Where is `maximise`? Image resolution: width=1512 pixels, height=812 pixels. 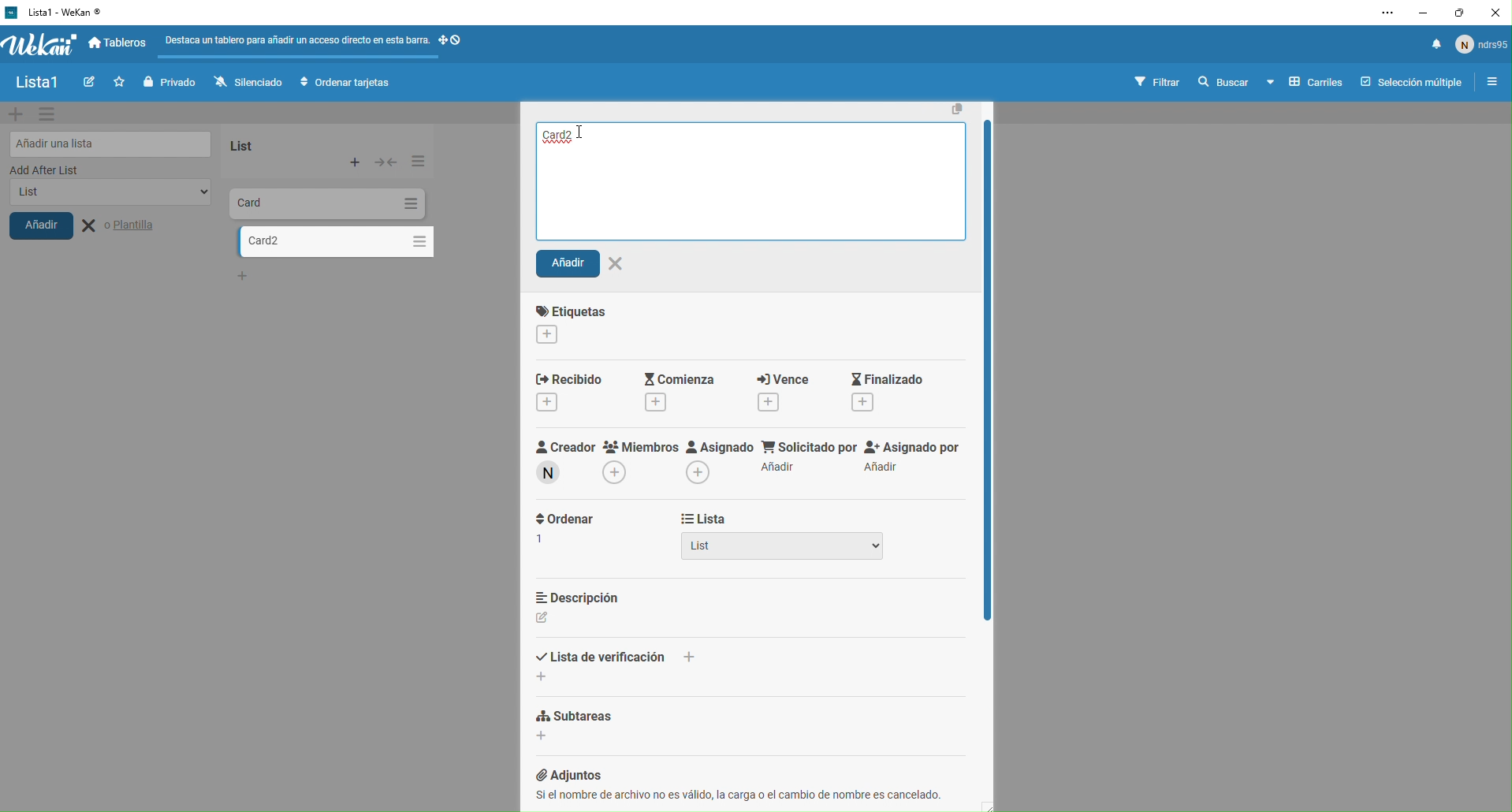
maximise is located at coordinates (1461, 12).